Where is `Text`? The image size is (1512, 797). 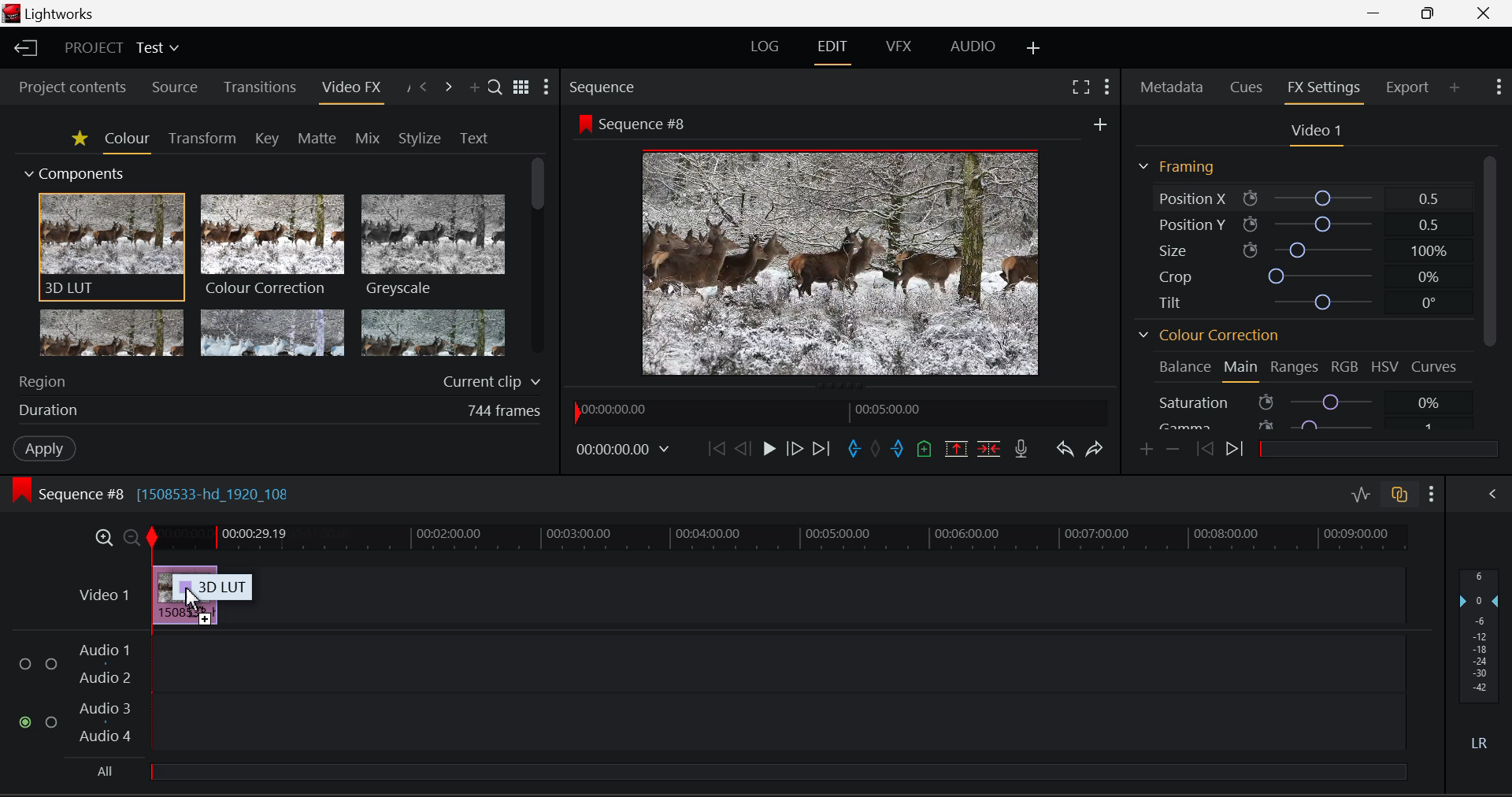
Text is located at coordinates (472, 139).